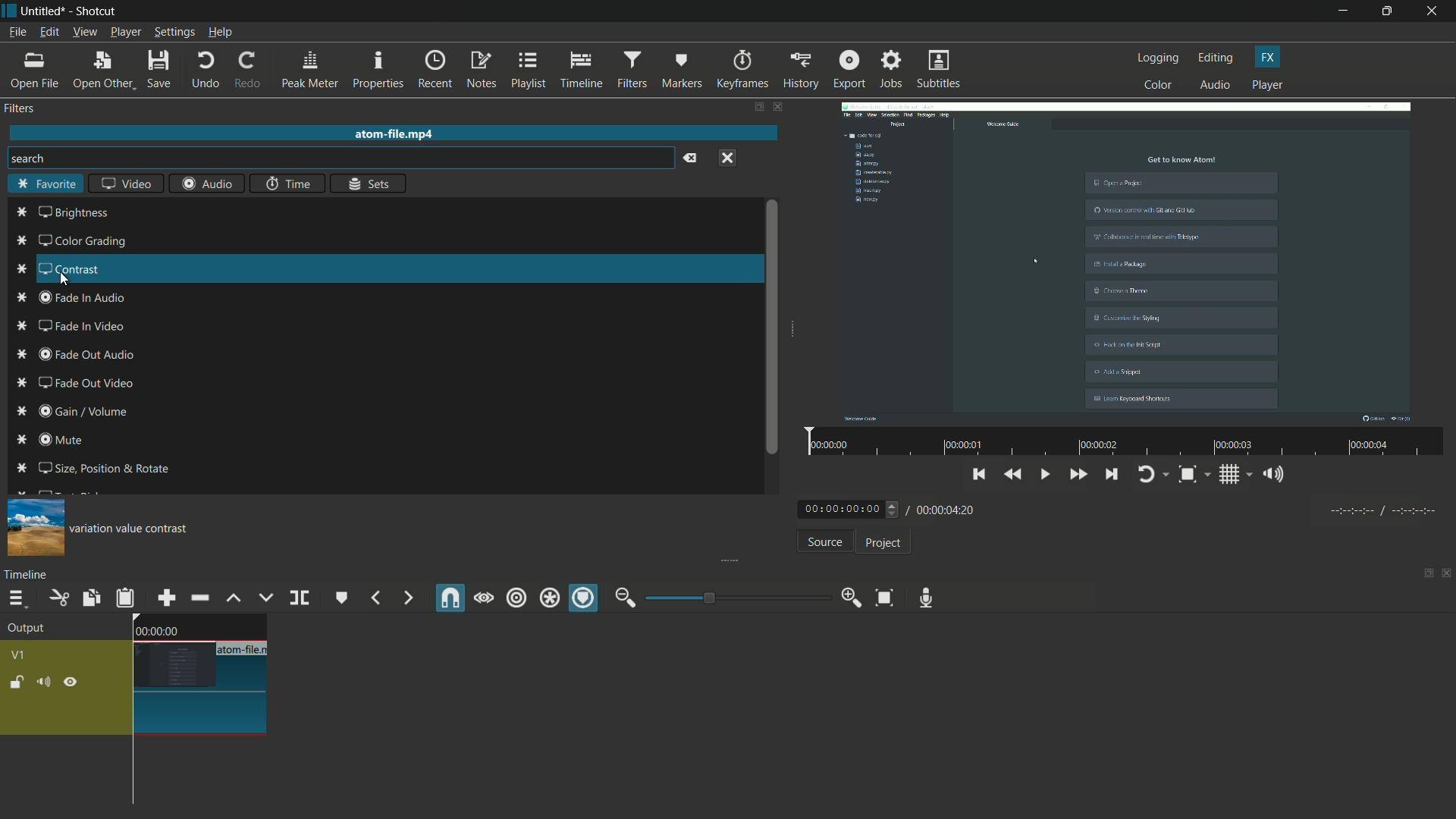 Image resolution: width=1456 pixels, height=819 pixels. I want to click on open other, so click(103, 71).